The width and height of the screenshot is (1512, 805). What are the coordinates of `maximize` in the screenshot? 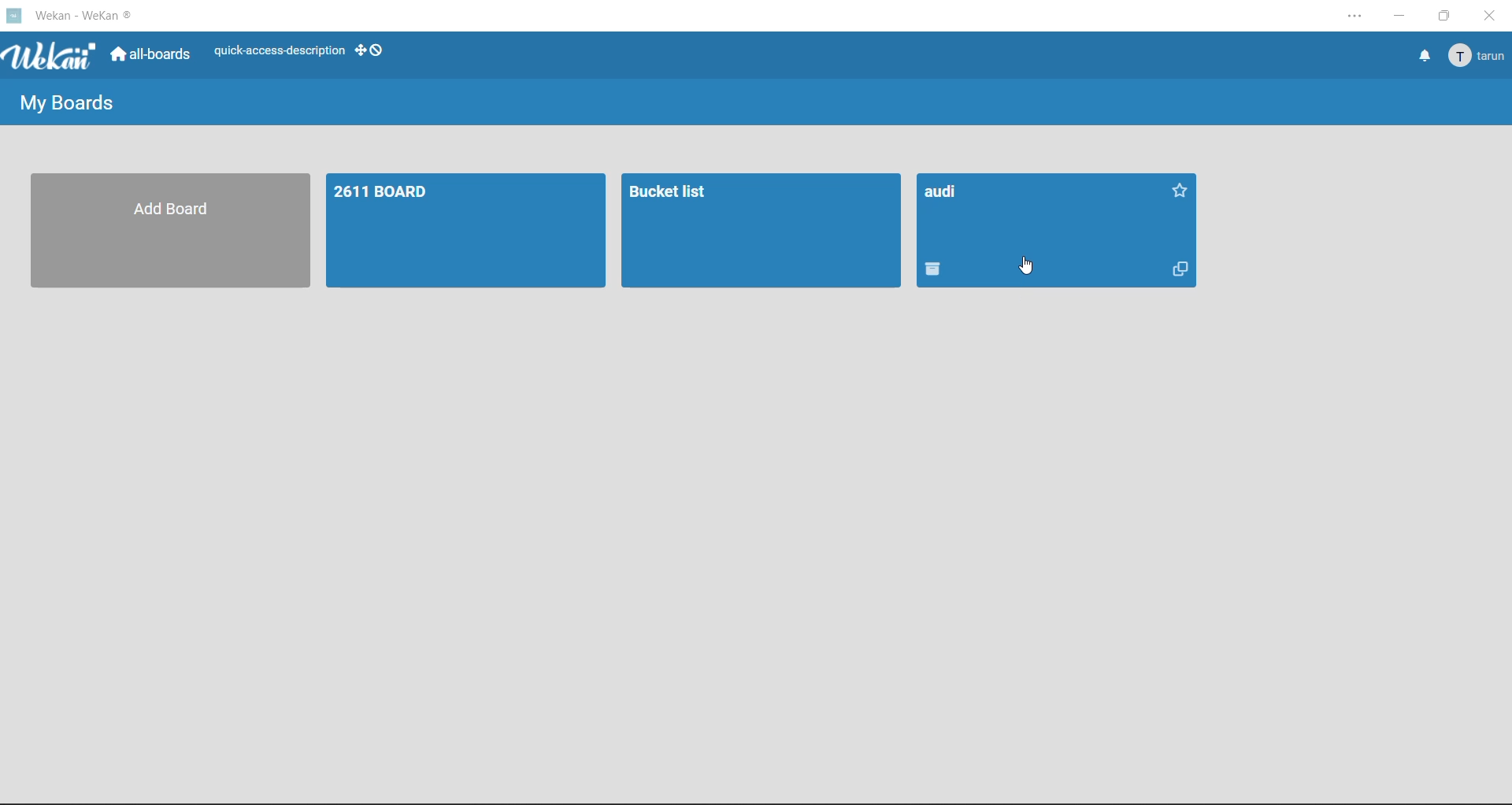 It's located at (1448, 17).